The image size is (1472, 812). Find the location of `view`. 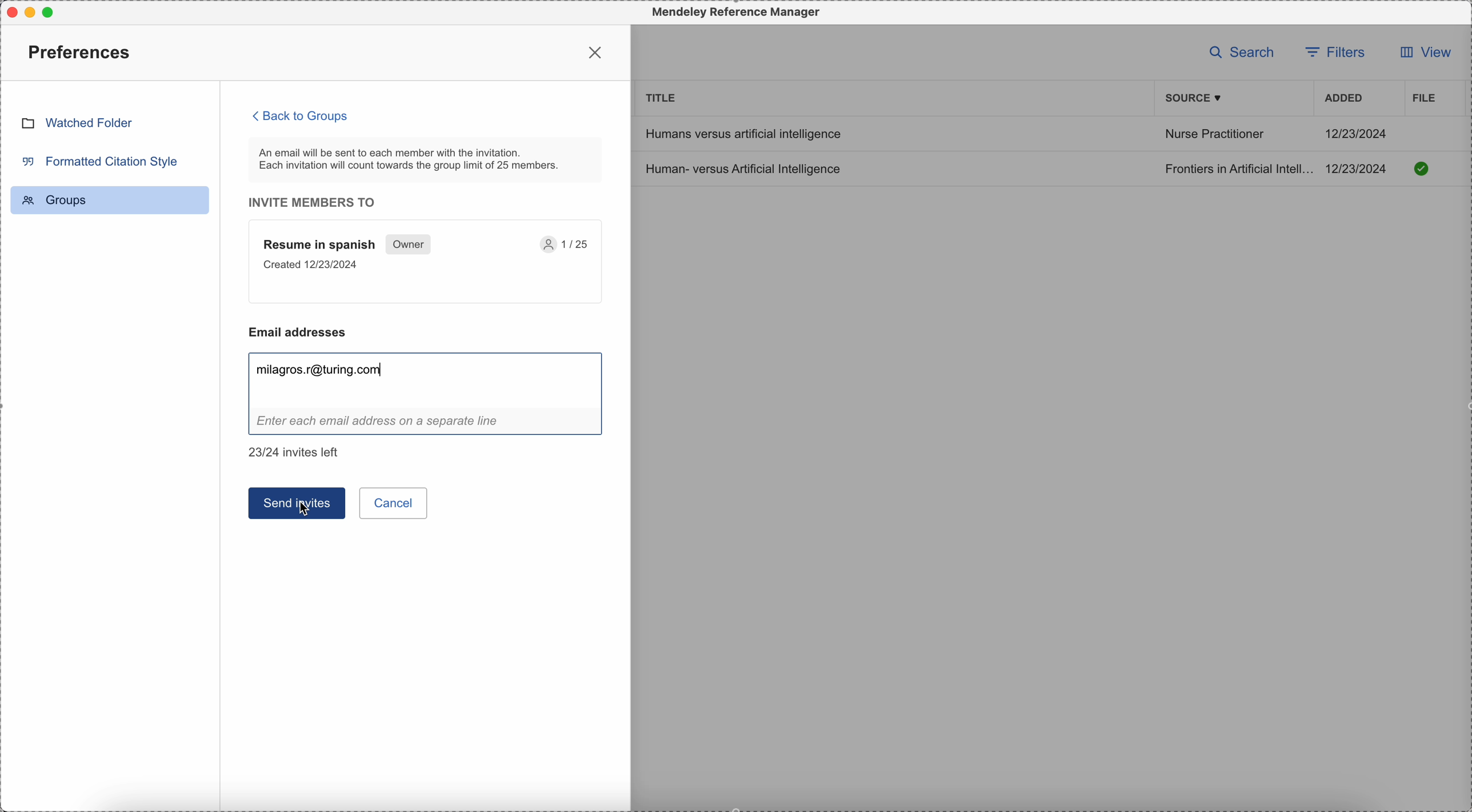

view is located at coordinates (1421, 55).